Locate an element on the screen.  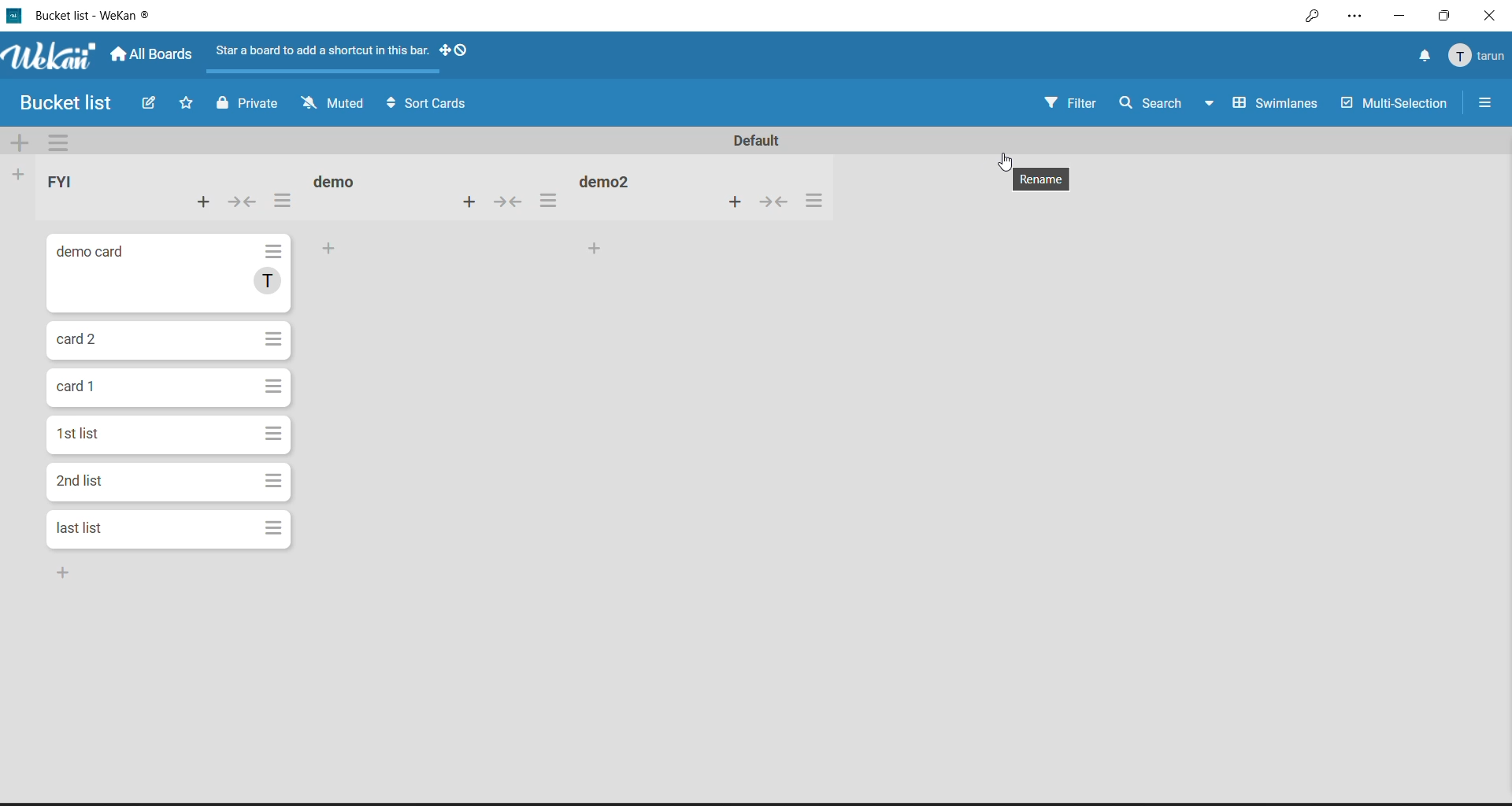
cursor is located at coordinates (1003, 160).